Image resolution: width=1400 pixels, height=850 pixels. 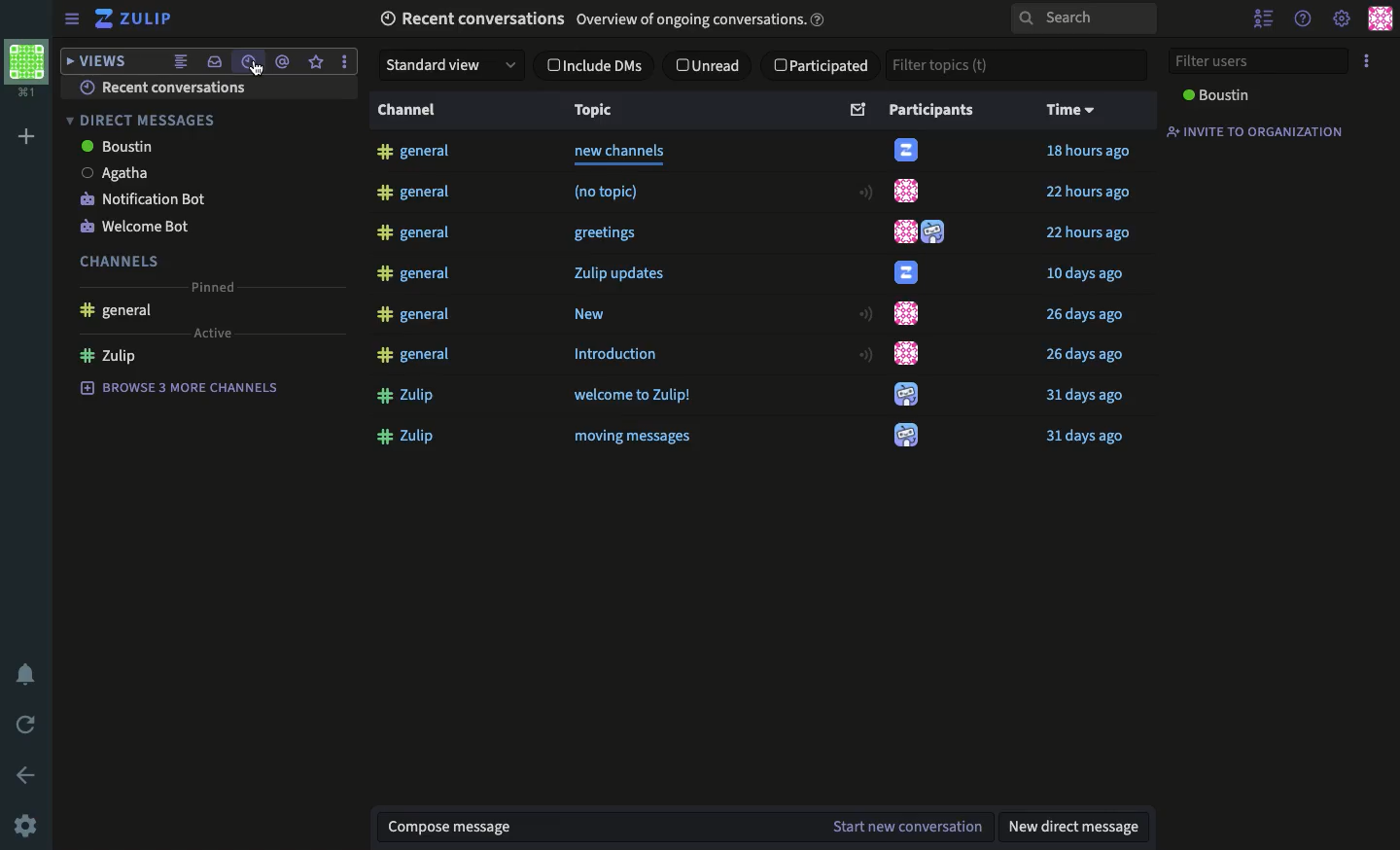 I want to click on 22 hours ago, so click(x=1091, y=195).